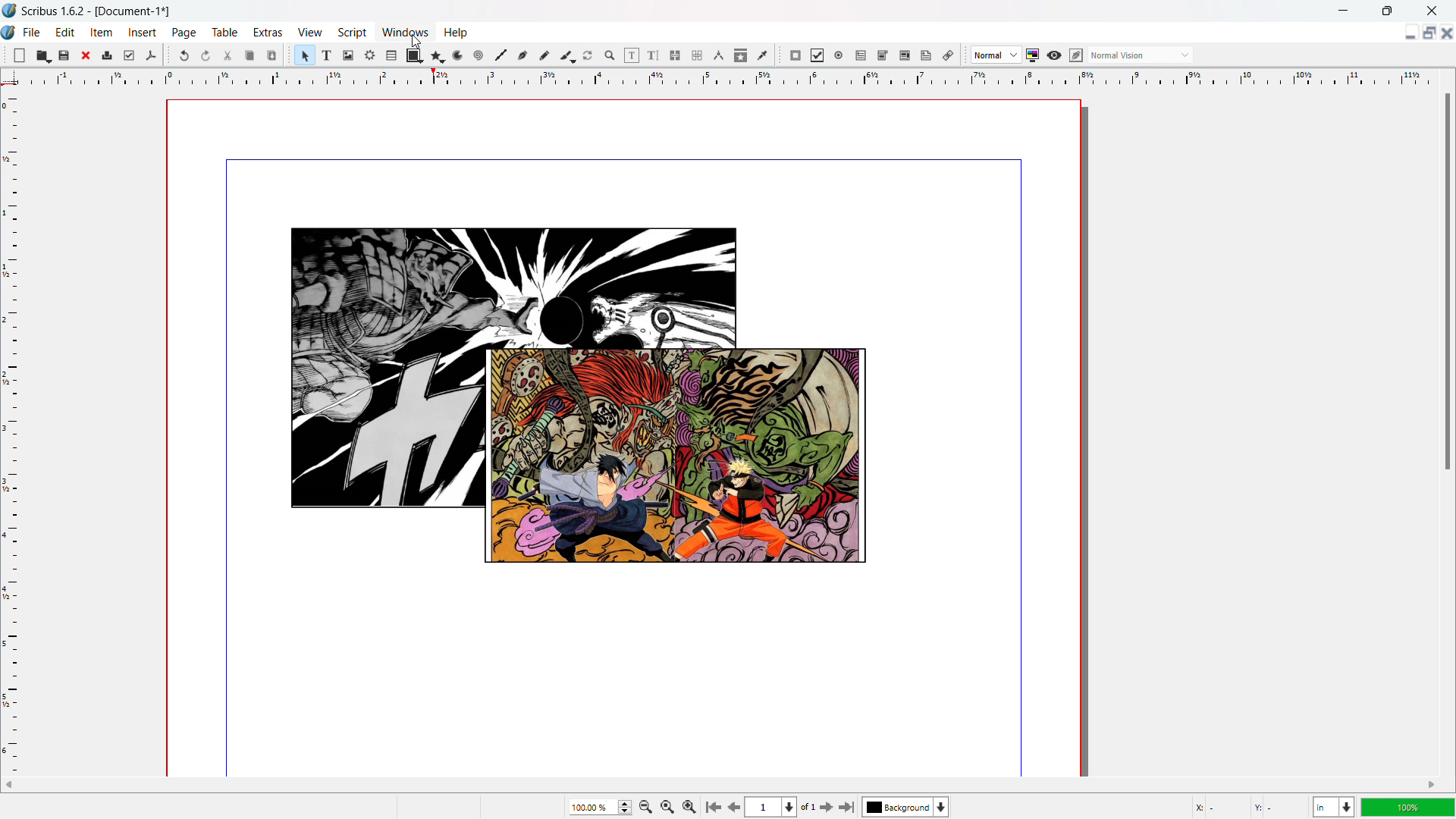 Image resolution: width=1456 pixels, height=819 pixels. I want to click on copy, so click(249, 55).